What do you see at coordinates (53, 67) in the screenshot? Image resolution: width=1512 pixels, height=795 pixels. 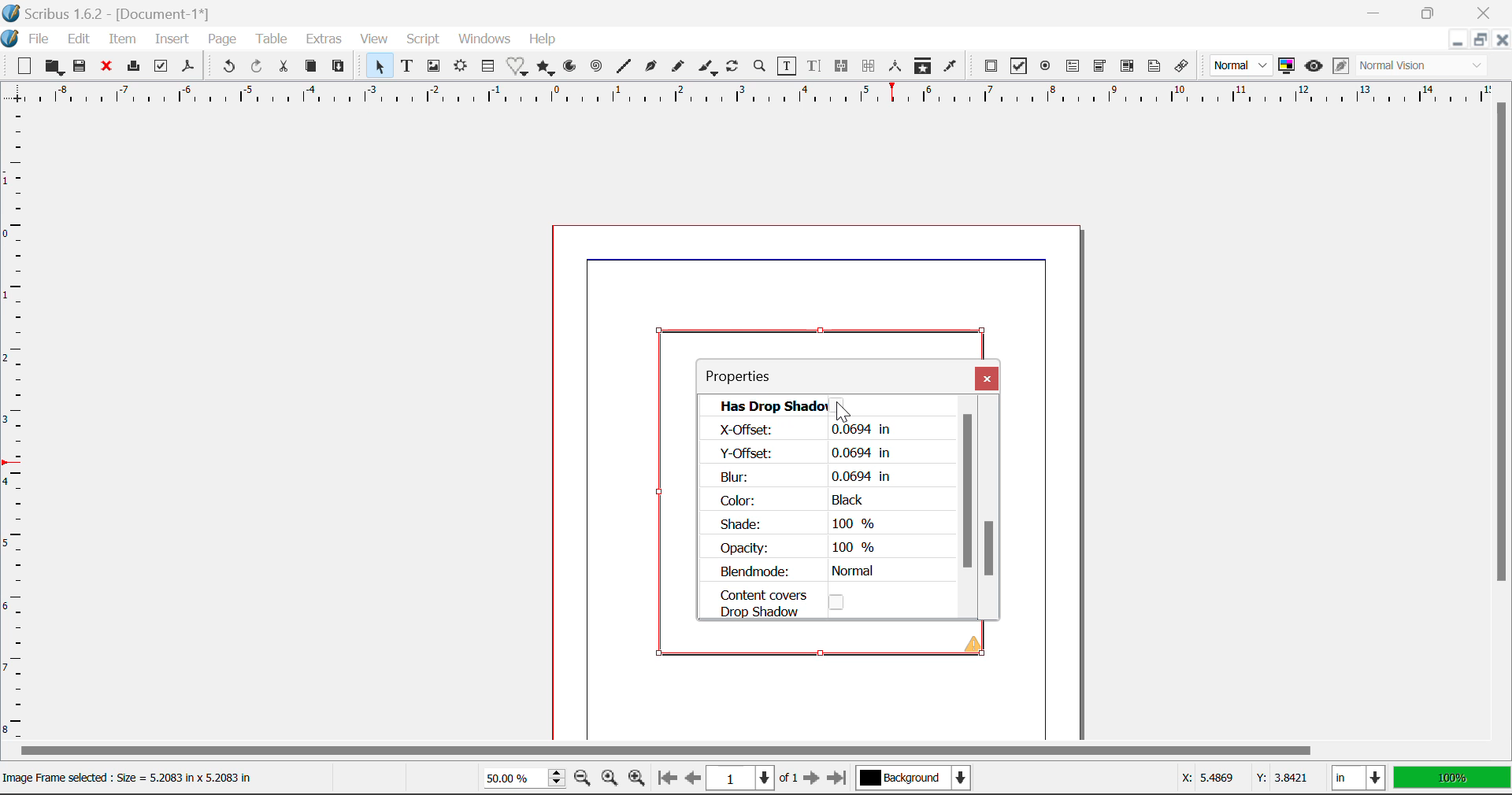 I see `Open` at bounding box center [53, 67].